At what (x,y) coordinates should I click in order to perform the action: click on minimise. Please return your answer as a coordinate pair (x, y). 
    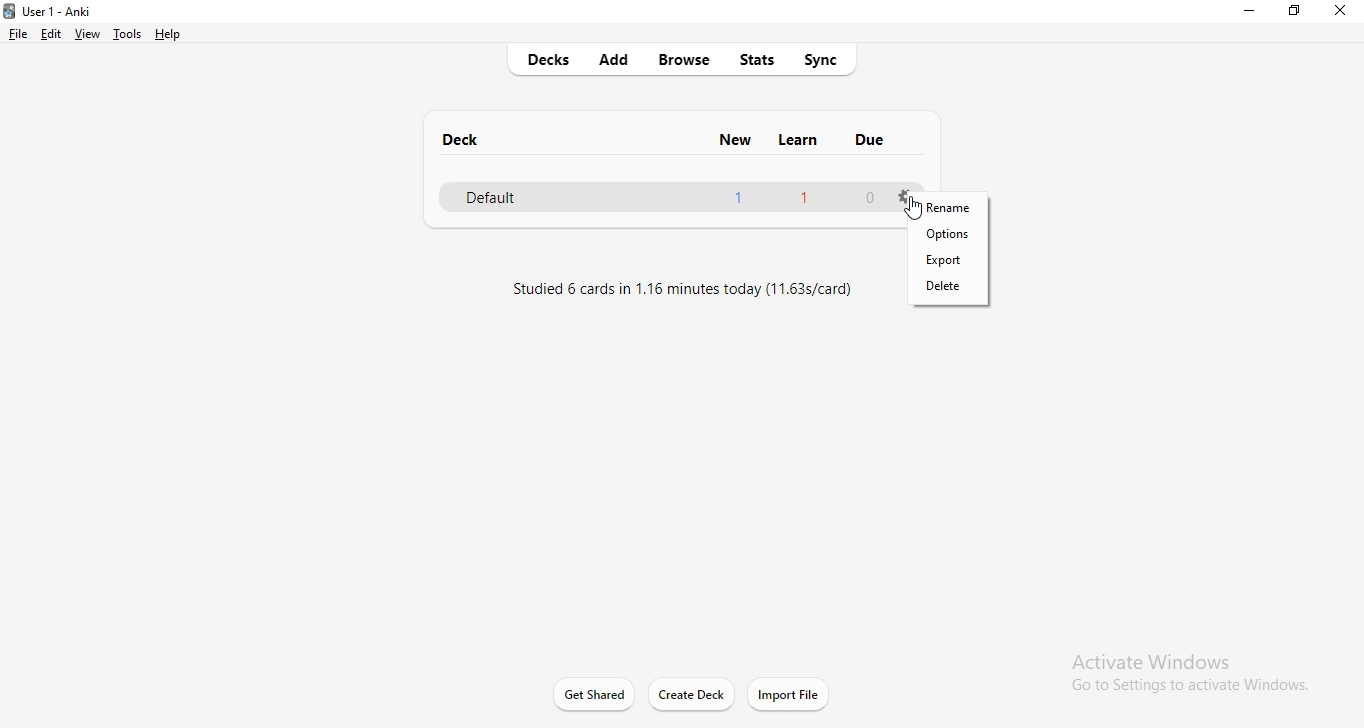
    Looking at the image, I should click on (1247, 15).